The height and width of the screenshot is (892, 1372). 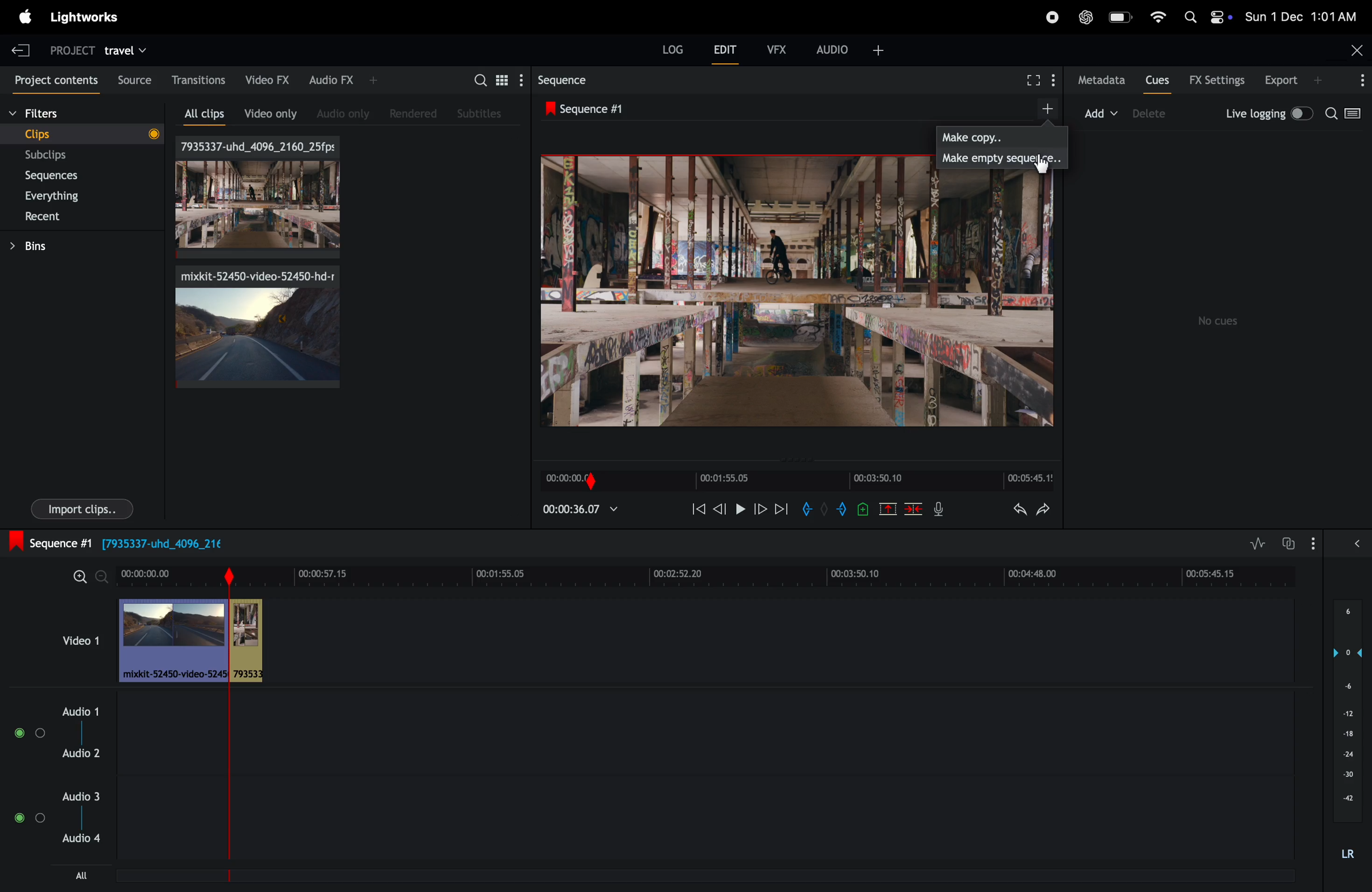 What do you see at coordinates (738, 507) in the screenshot?
I see `pause play` at bounding box center [738, 507].